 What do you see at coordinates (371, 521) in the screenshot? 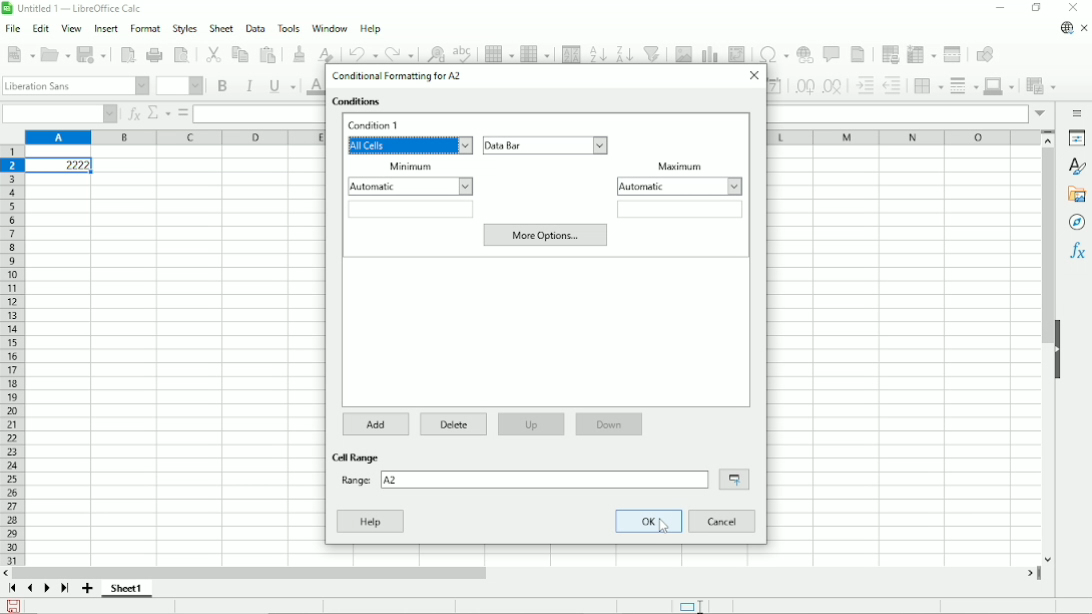
I see `Help` at bounding box center [371, 521].